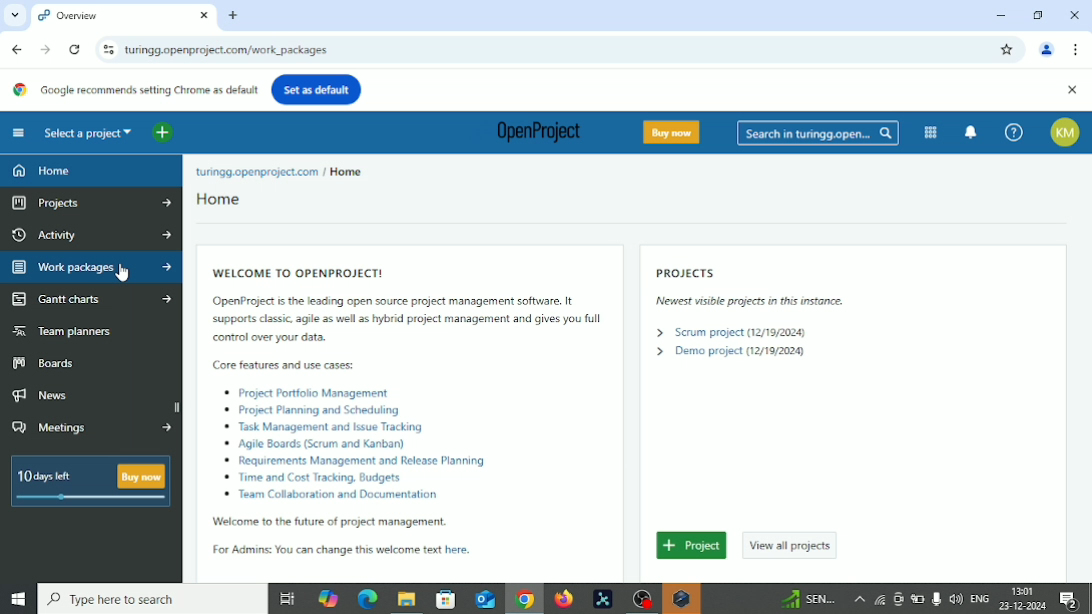  What do you see at coordinates (401, 322) in the screenshot?
I see `(OpenProgect is the leading open source project management software. It supports classic. agile as well as hybrid project management and gives you ull control over your data.` at bounding box center [401, 322].